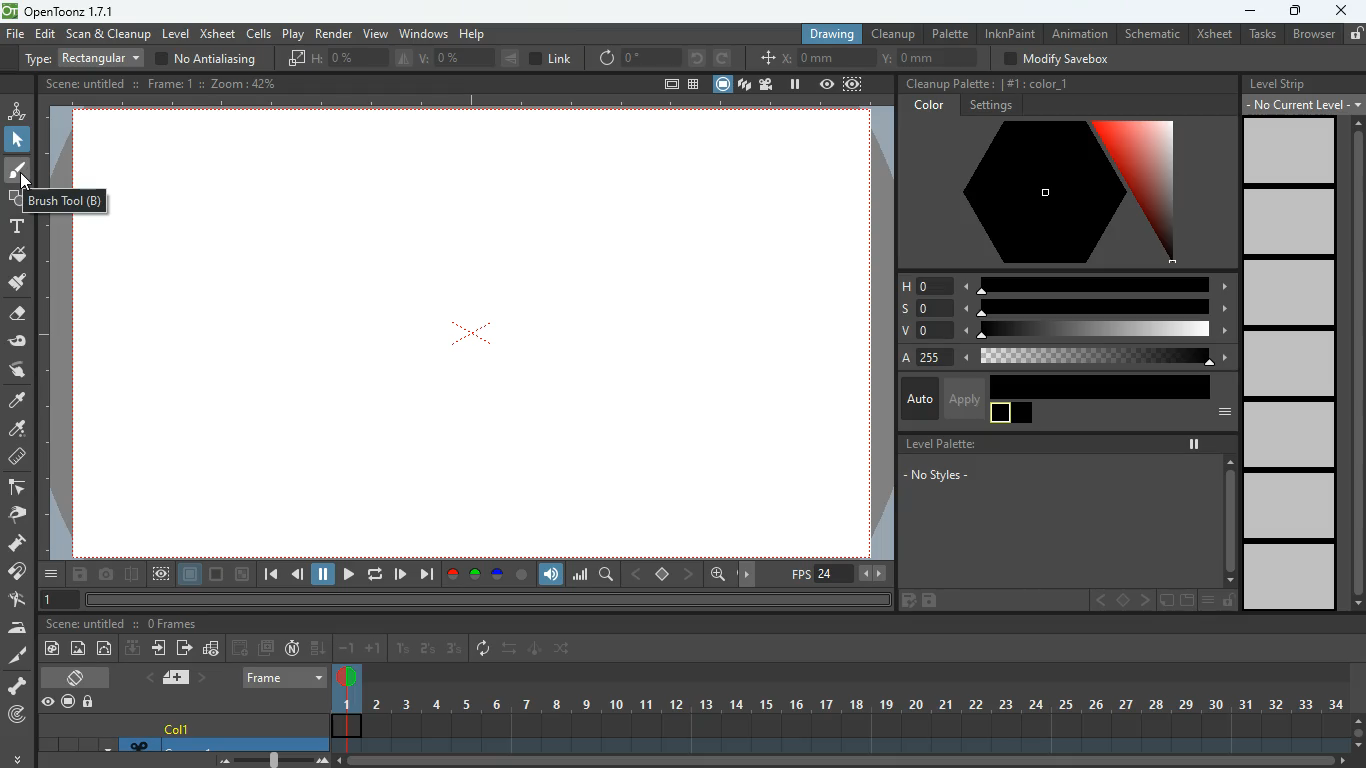 This screenshot has height=768, width=1366. Describe the element at coordinates (1082, 34) in the screenshot. I see `animation` at that location.